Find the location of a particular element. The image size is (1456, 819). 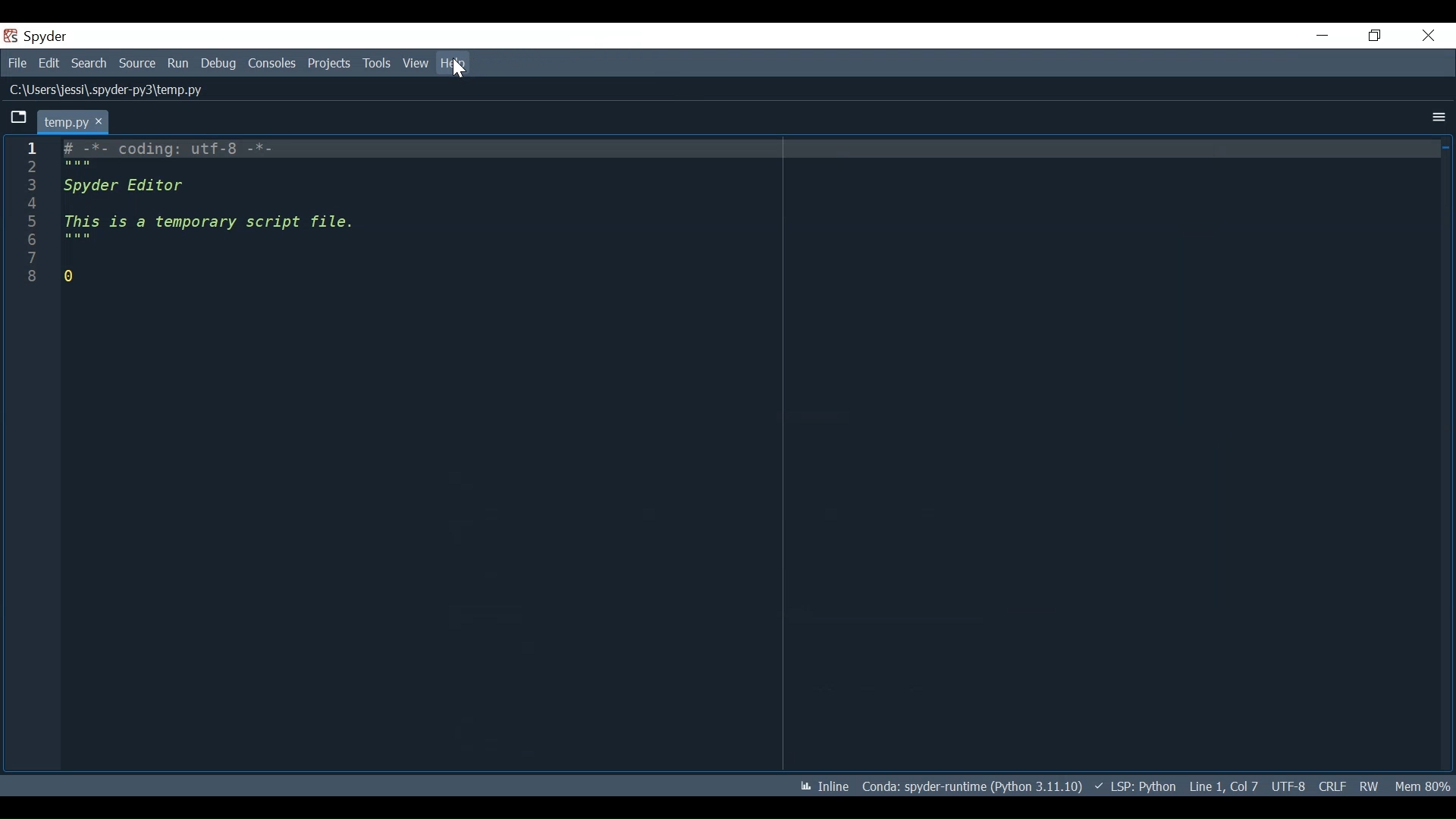

Restore is located at coordinates (1376, 35).